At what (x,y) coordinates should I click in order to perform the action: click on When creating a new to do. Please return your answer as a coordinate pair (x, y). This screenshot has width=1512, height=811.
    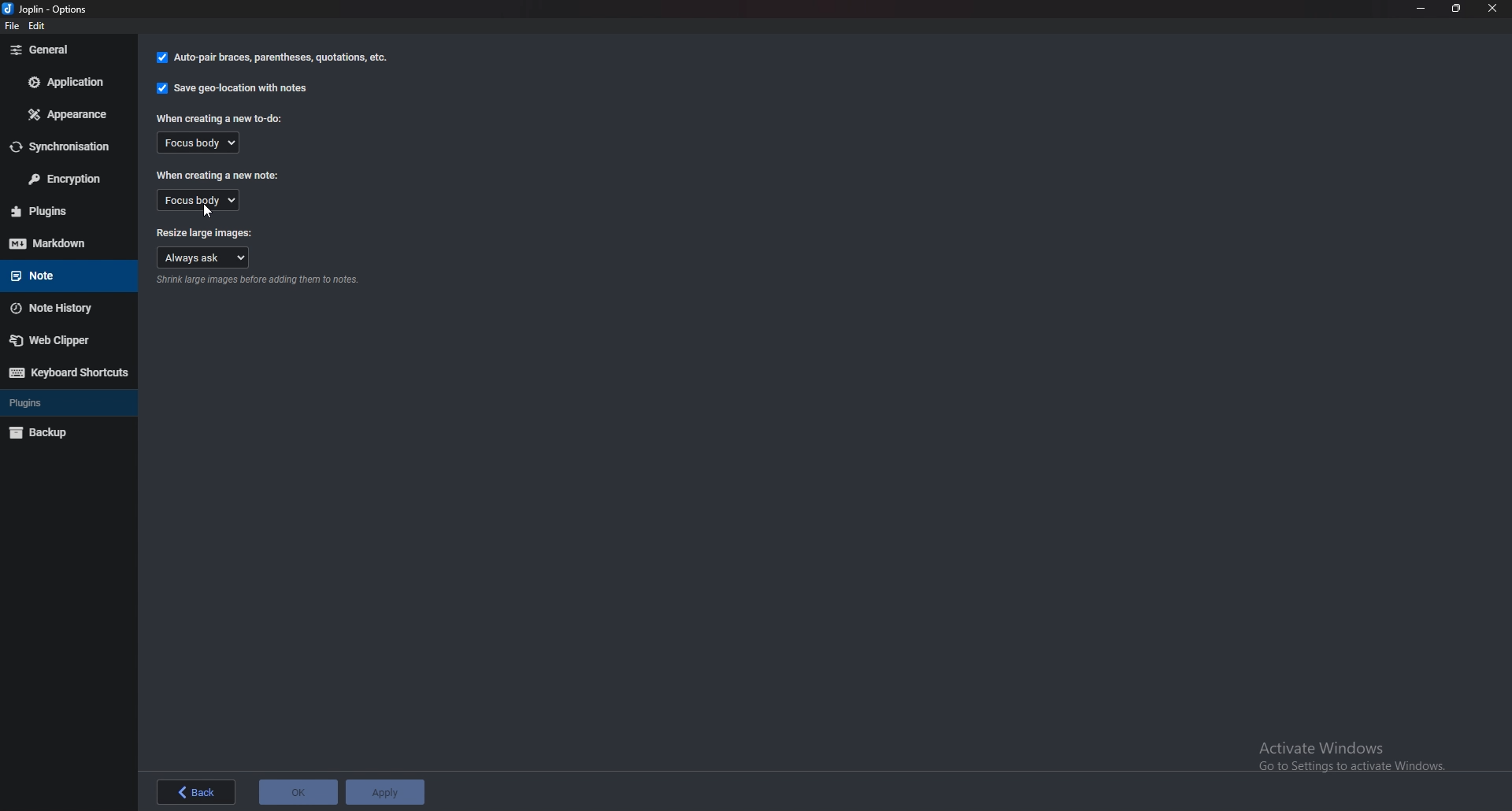
    Looking at the image, I should click on (222, 118).